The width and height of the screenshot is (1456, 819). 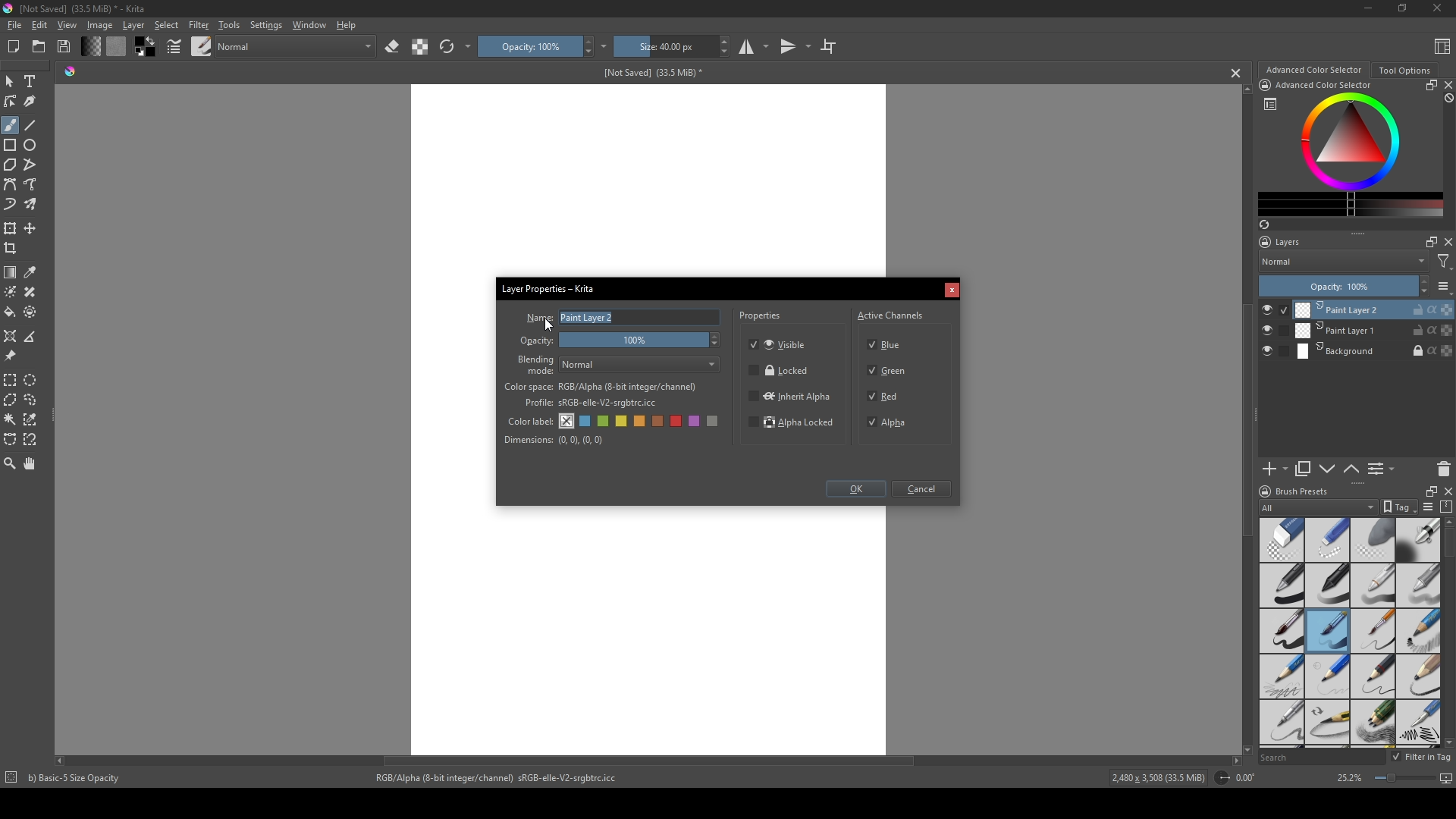 What do you see at coordinates (1263, 224) in the screenshot?
I see `refresh` at bounding box center [1263, 224].